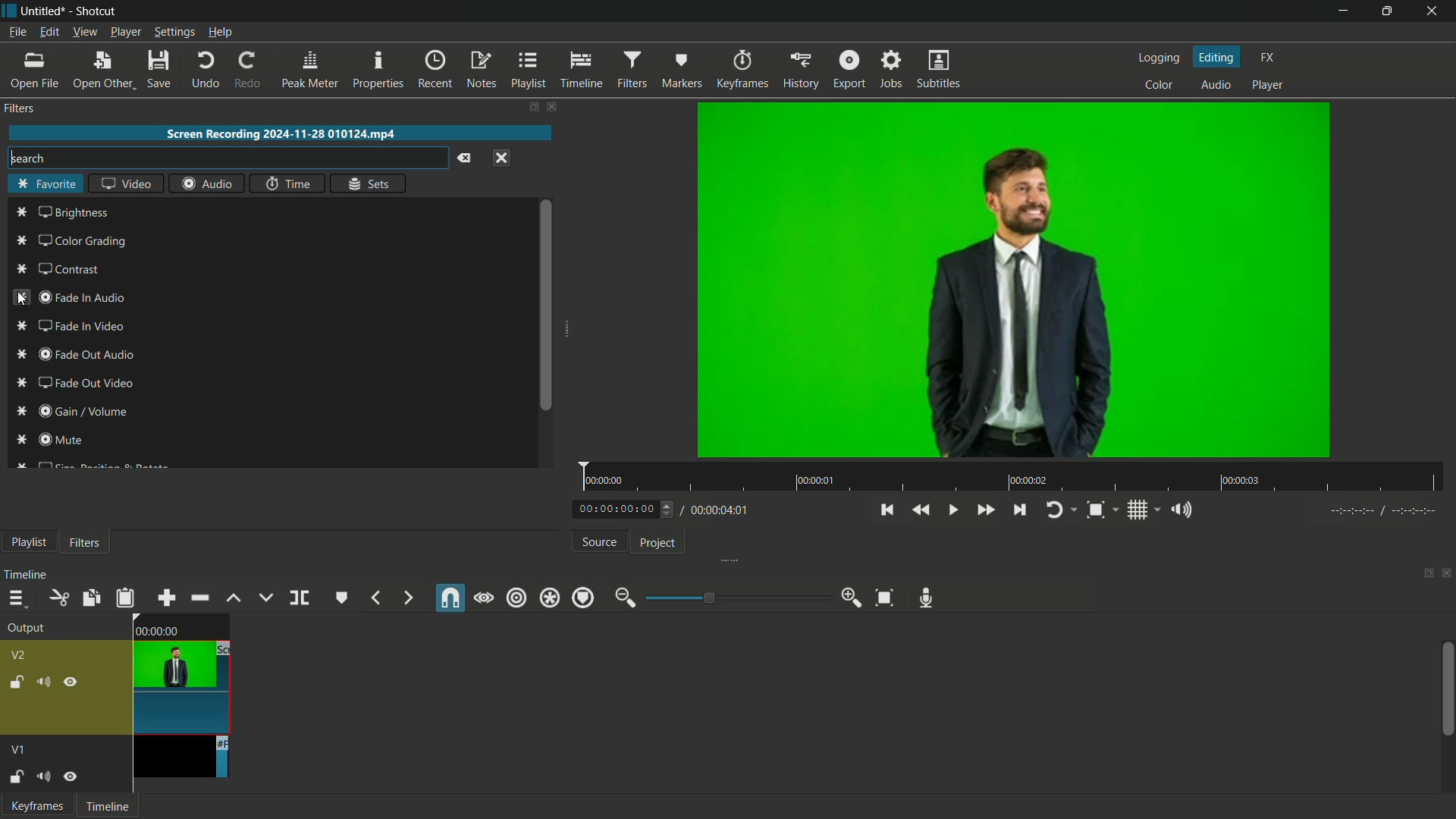 Image resolution: width=1456 pixels, height=819 pixels. I want to click on toggle grid, so click(1137, 510).